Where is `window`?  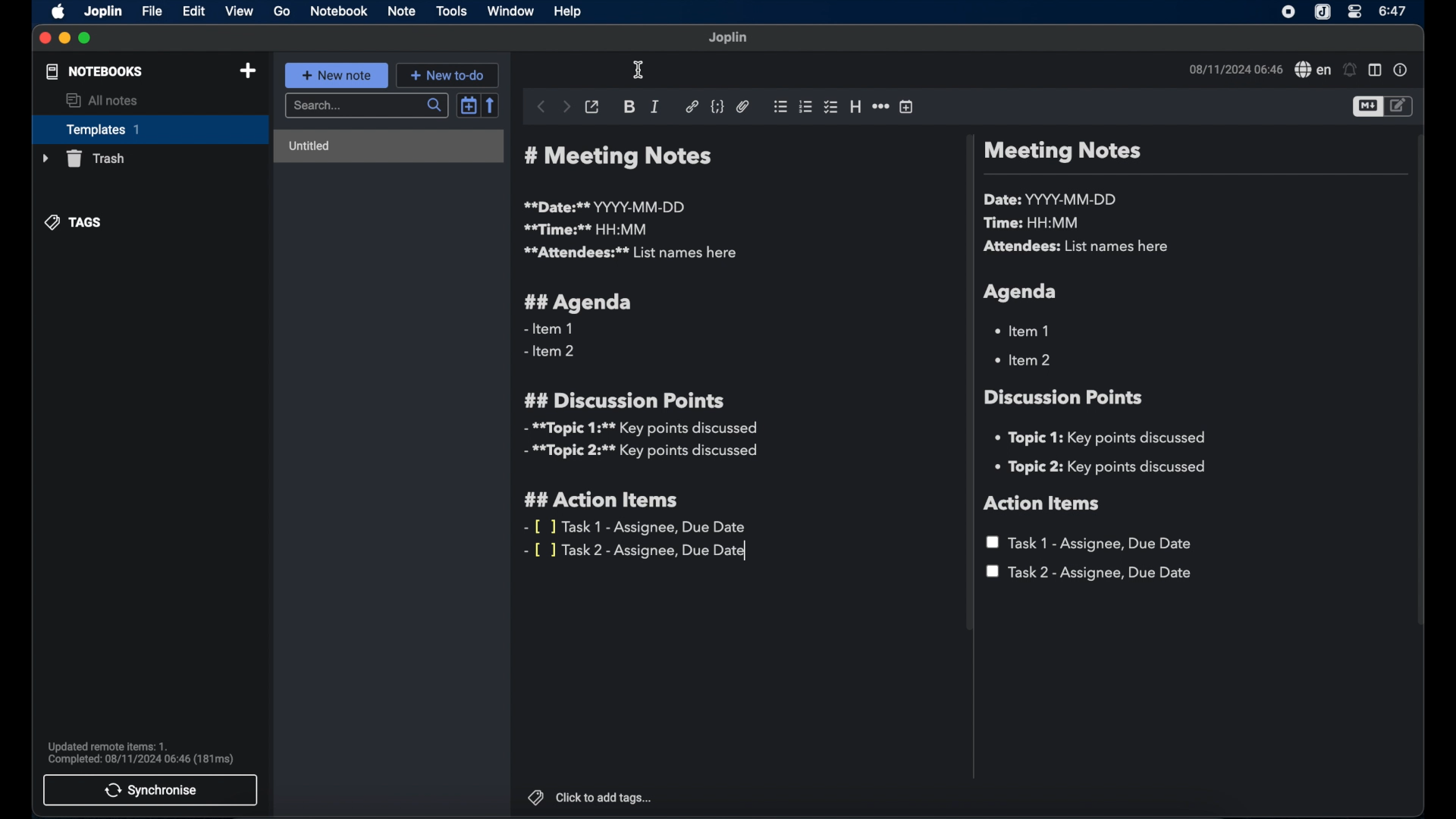 window is located at coordinates (511, 12).